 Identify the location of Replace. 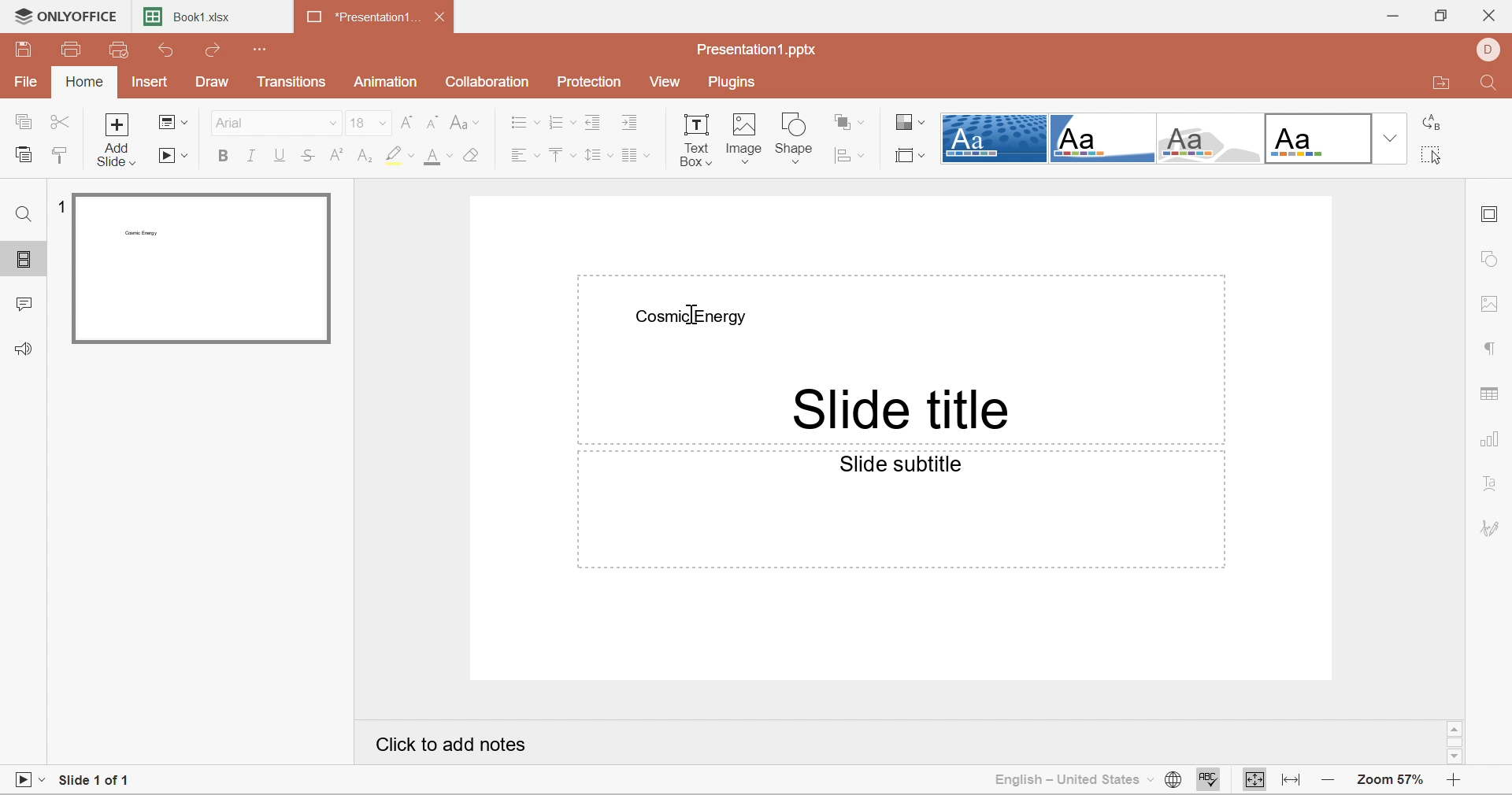
(1436, 122).